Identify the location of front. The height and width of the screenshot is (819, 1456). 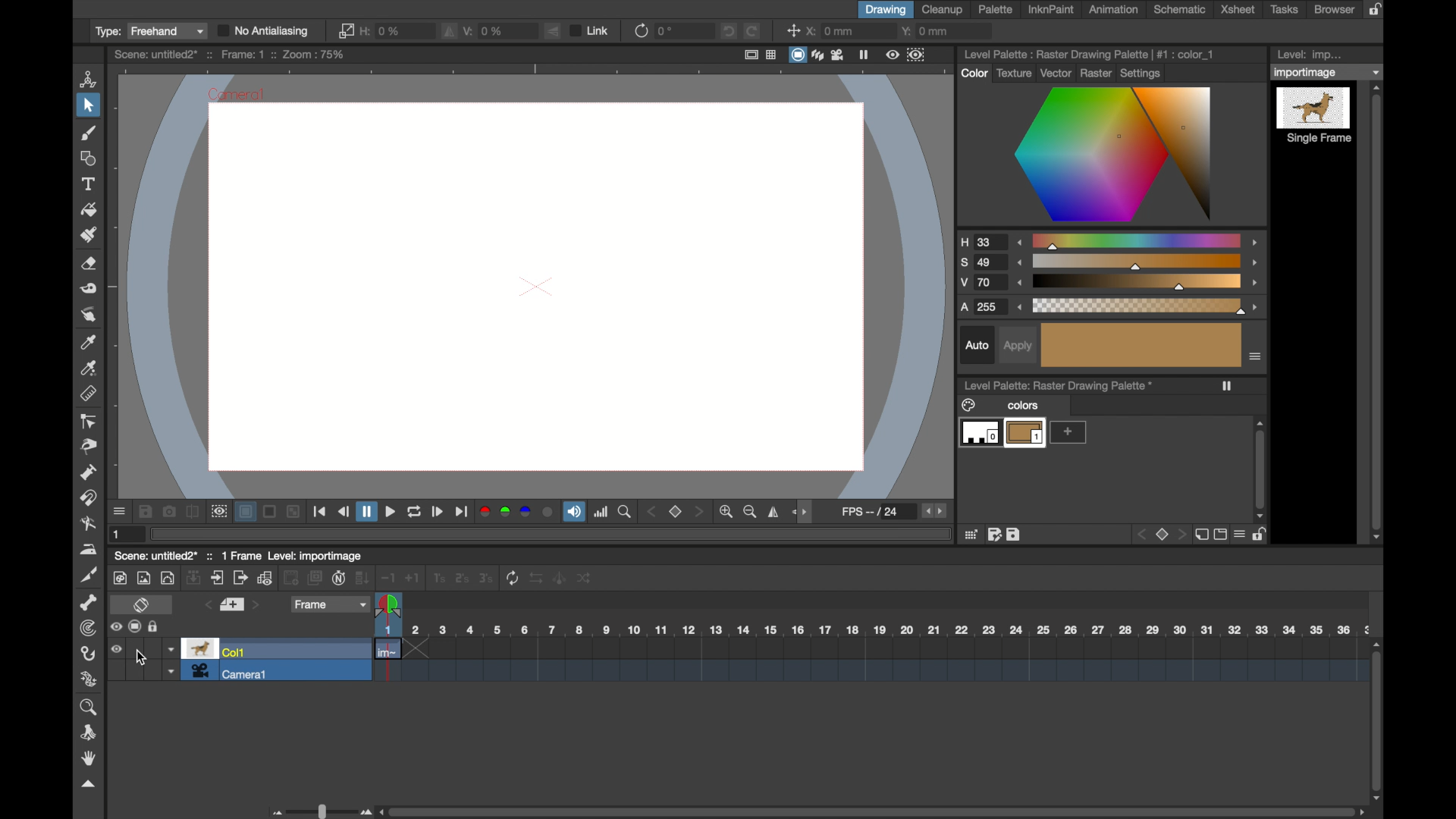
(1181, 534).